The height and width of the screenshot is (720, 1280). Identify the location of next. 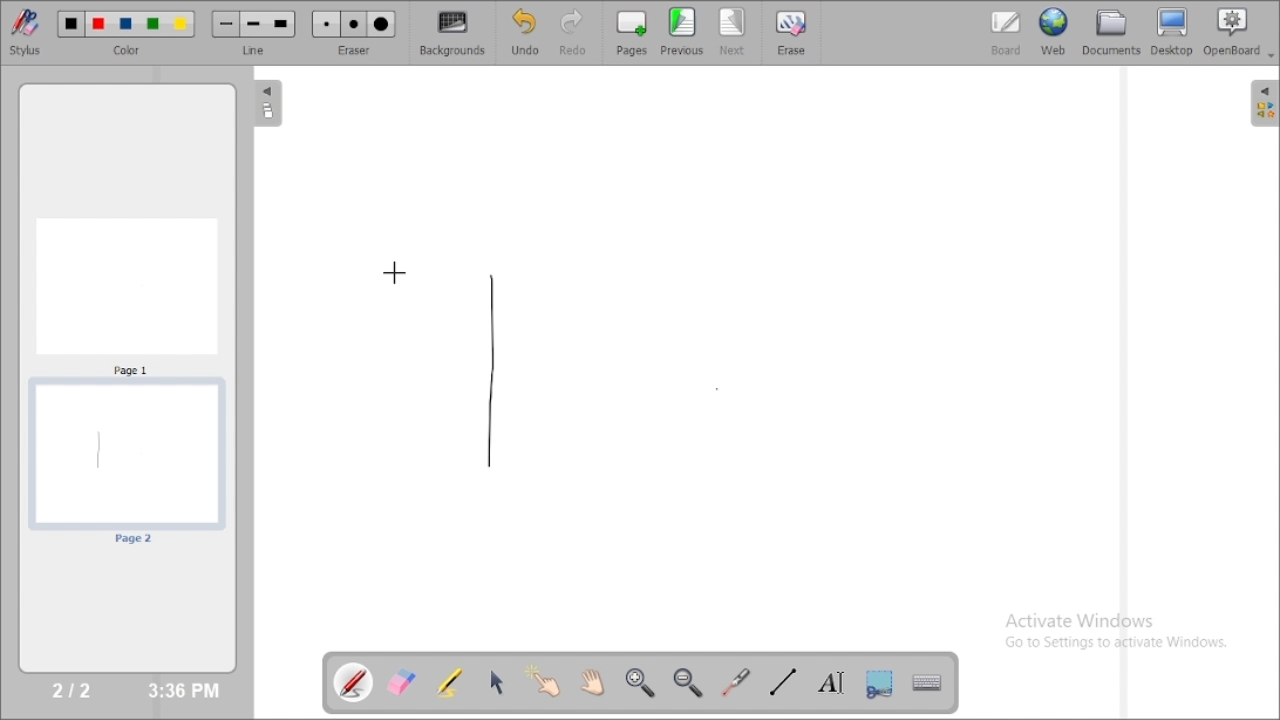
(733, 32).